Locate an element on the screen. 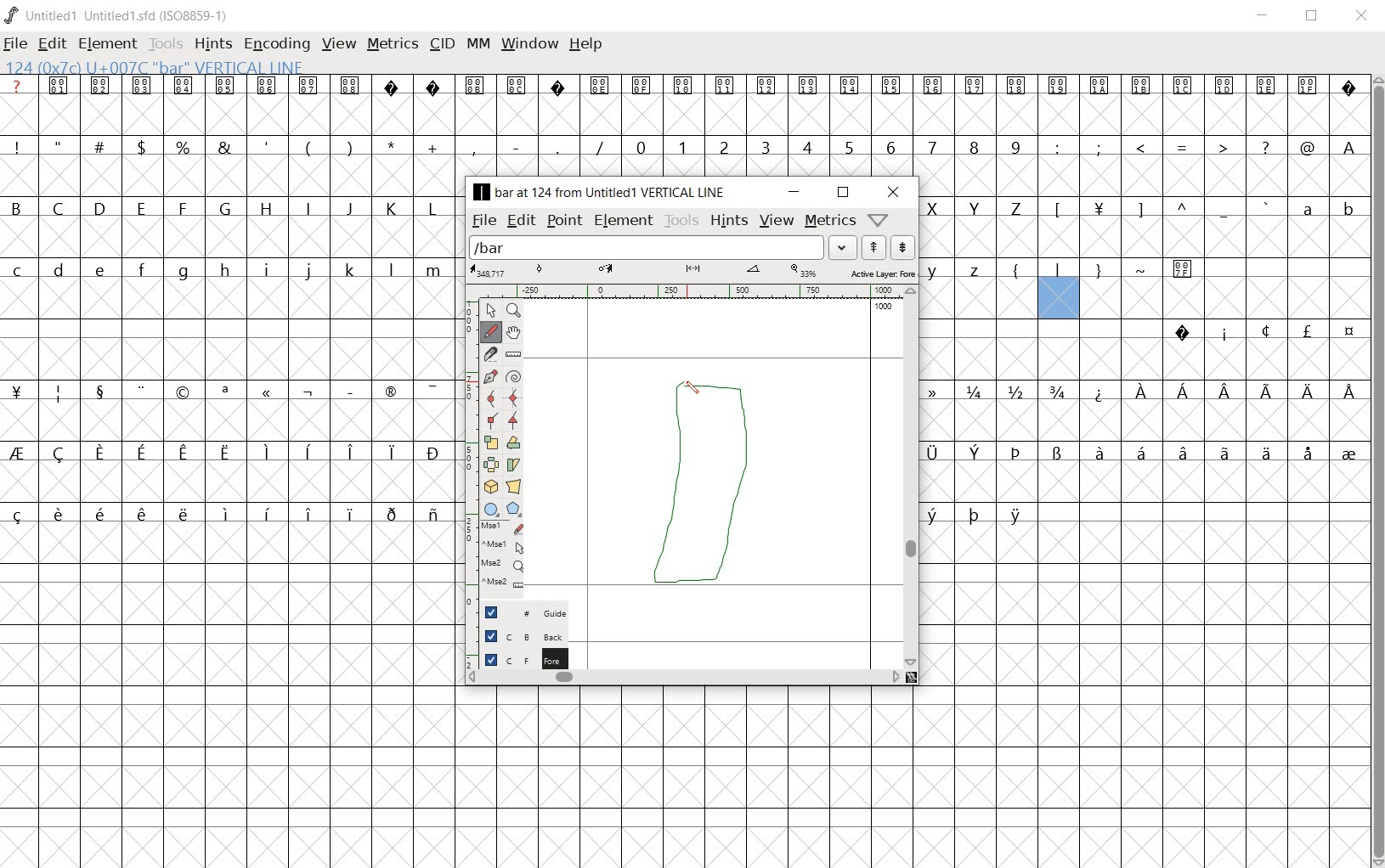 Image resolution: width=1385 pixels, height=868 pixels. Rotate the selection is located at coordinates (515, 442).